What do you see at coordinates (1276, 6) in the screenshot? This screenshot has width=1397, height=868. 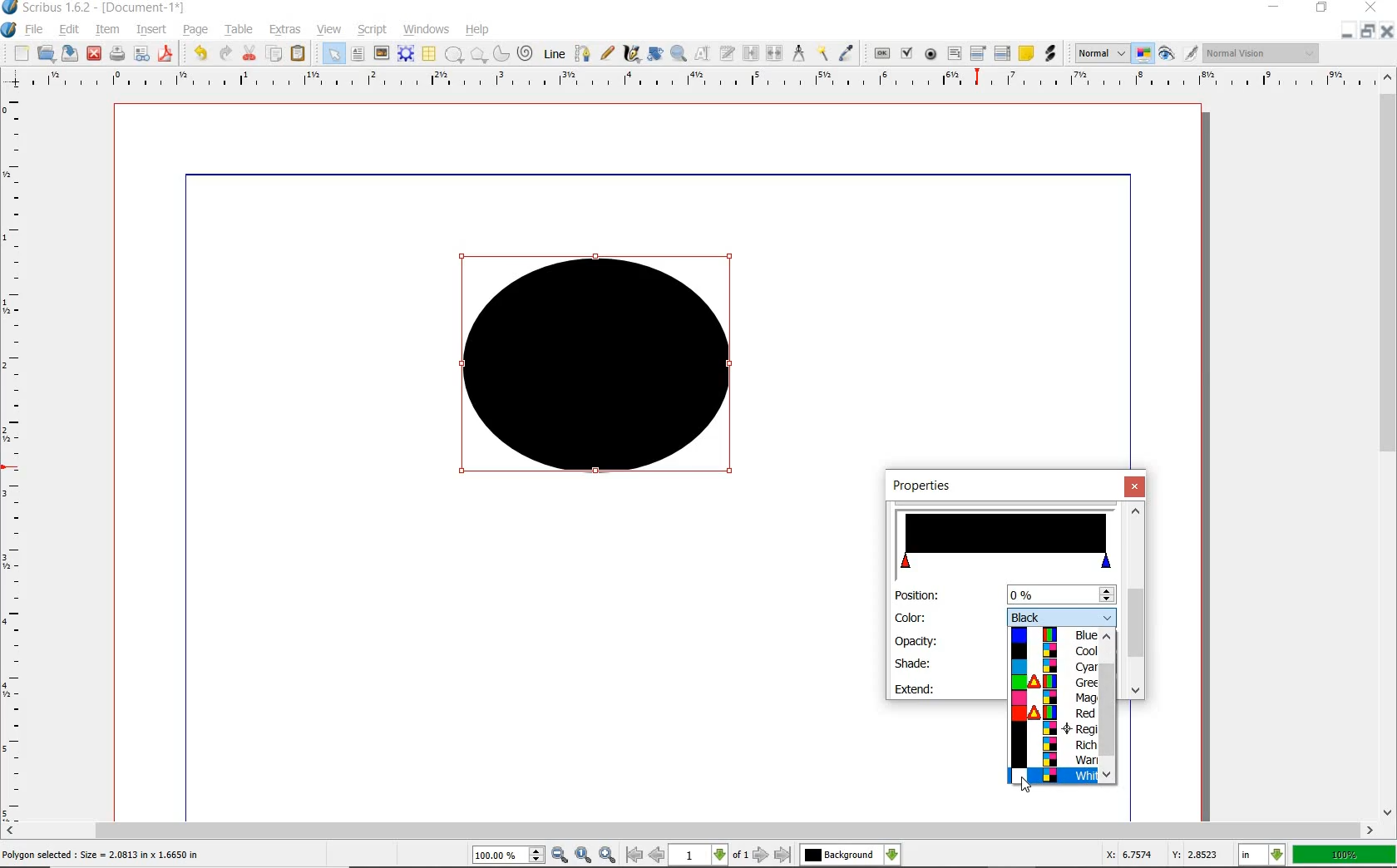 I see `MINIMIZE` at bounding box center [1276, 6].